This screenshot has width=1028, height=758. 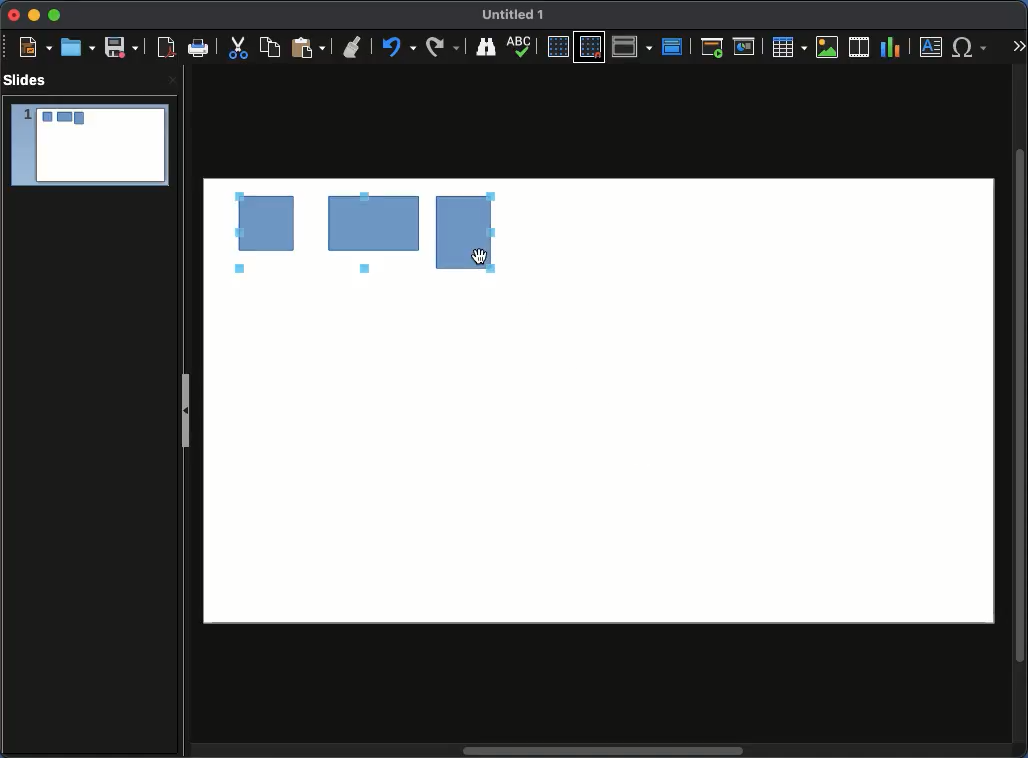 What do you see at coordinates (121, 48) in the screenshot?
I see `Save` at bounding box center [121, 48].